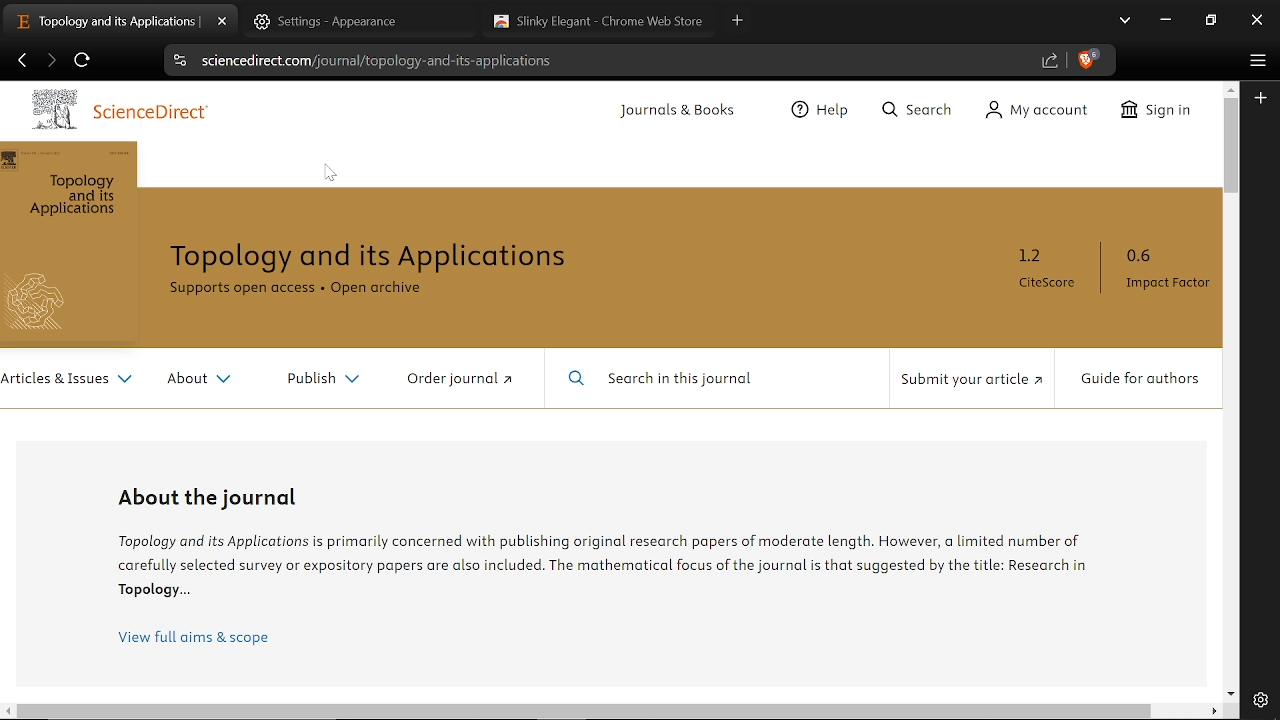 The height and width of the screenshot is (720, 1280). Describe the element at coordinates (378, 289) in the screenshot. I see `Open Archive` at that location.